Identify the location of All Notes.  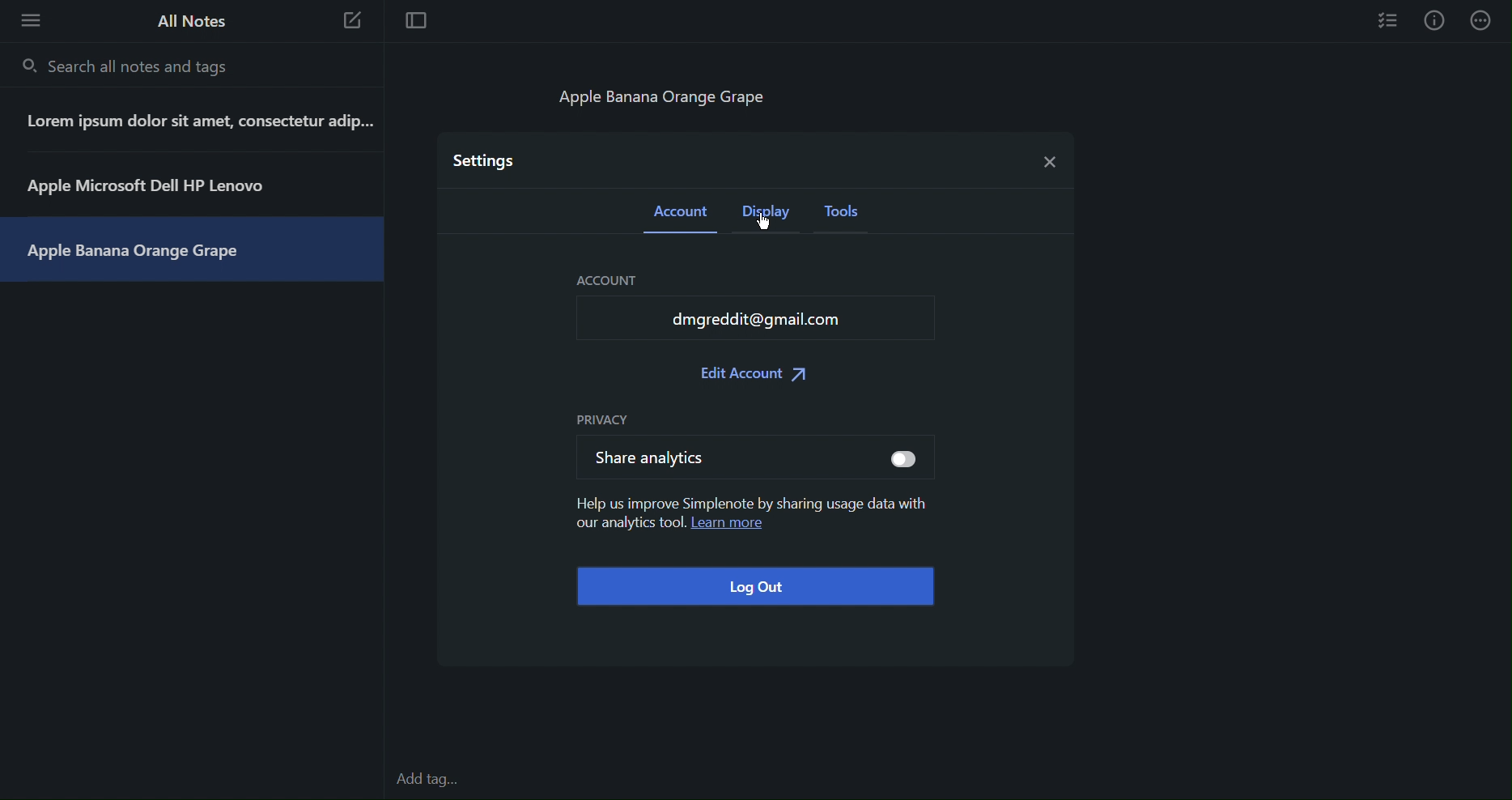
(189, 21).